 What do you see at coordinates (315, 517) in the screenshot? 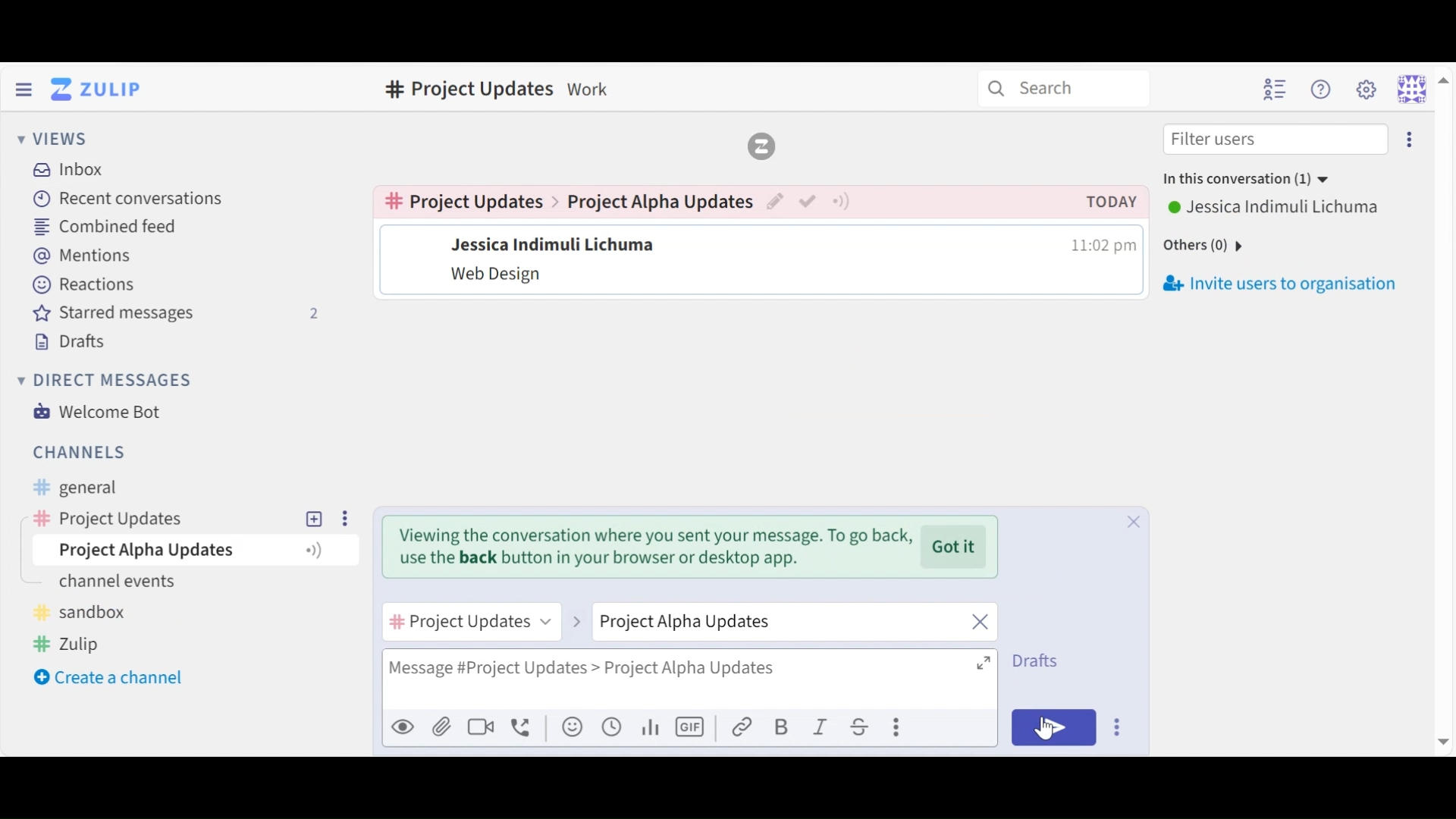
I see `New Topic` at bounding box center [315, 517].